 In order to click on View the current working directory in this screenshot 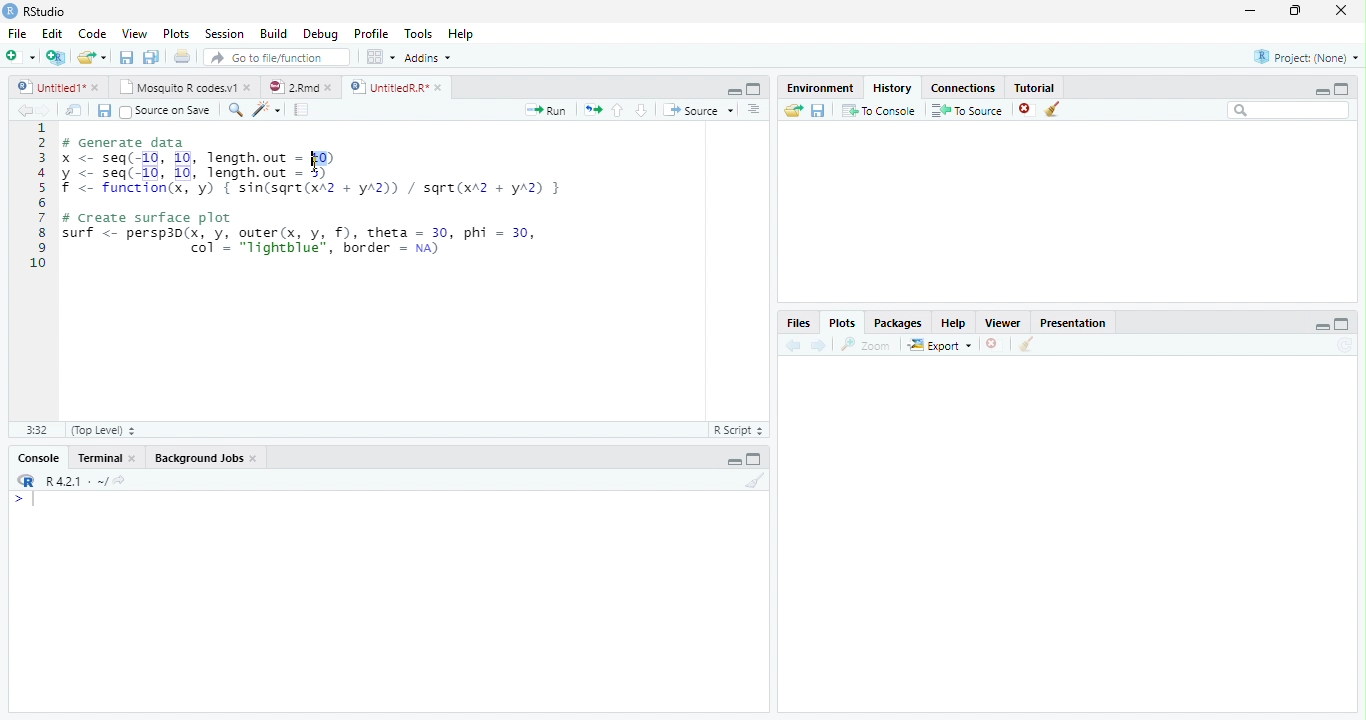, I will do `click(120, 478)`.